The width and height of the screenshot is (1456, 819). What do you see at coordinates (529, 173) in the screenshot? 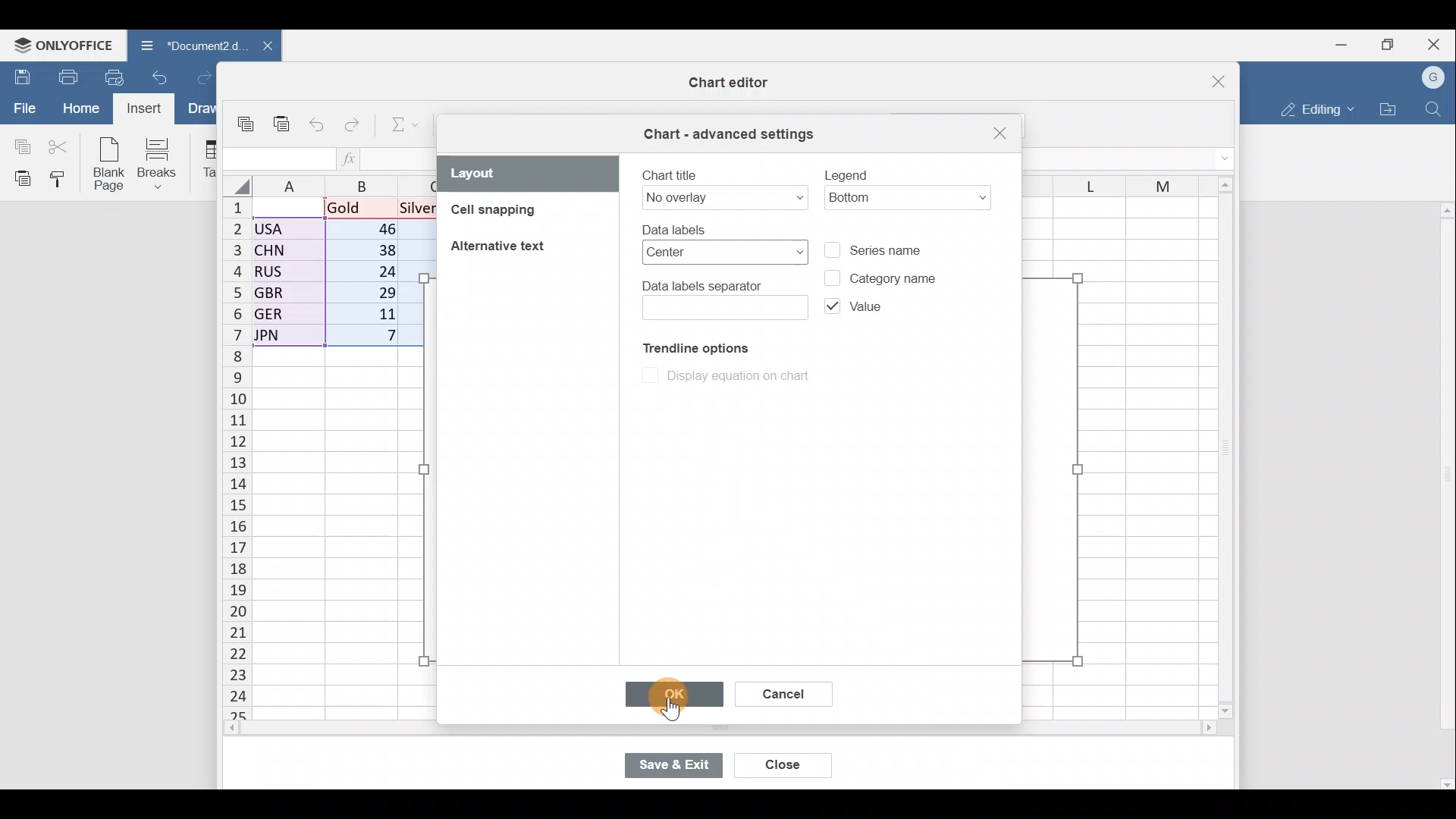
I see `Layout` at bounding box center [529, 173].